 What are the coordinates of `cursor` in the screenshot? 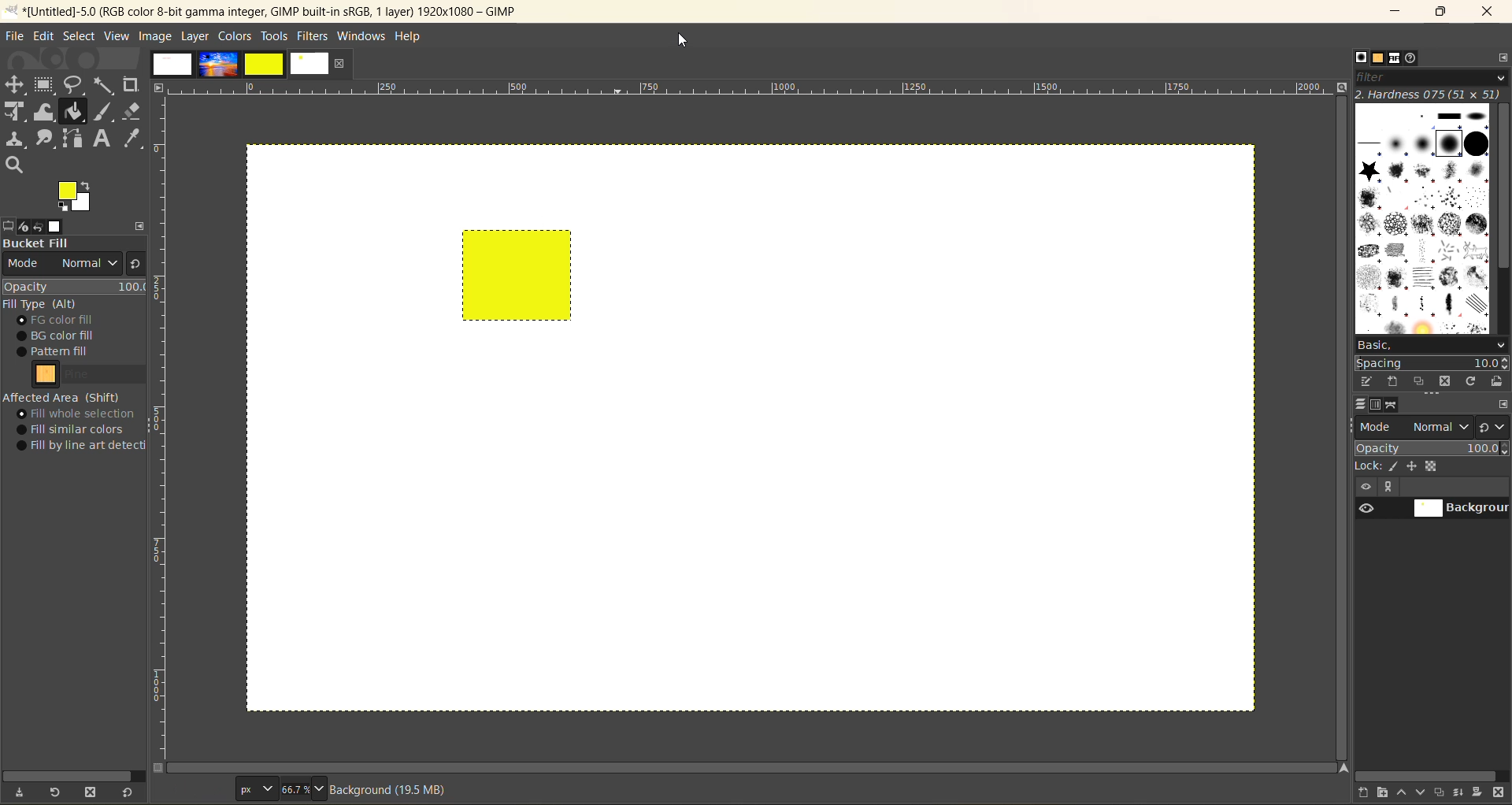 It's located at (511, 291).